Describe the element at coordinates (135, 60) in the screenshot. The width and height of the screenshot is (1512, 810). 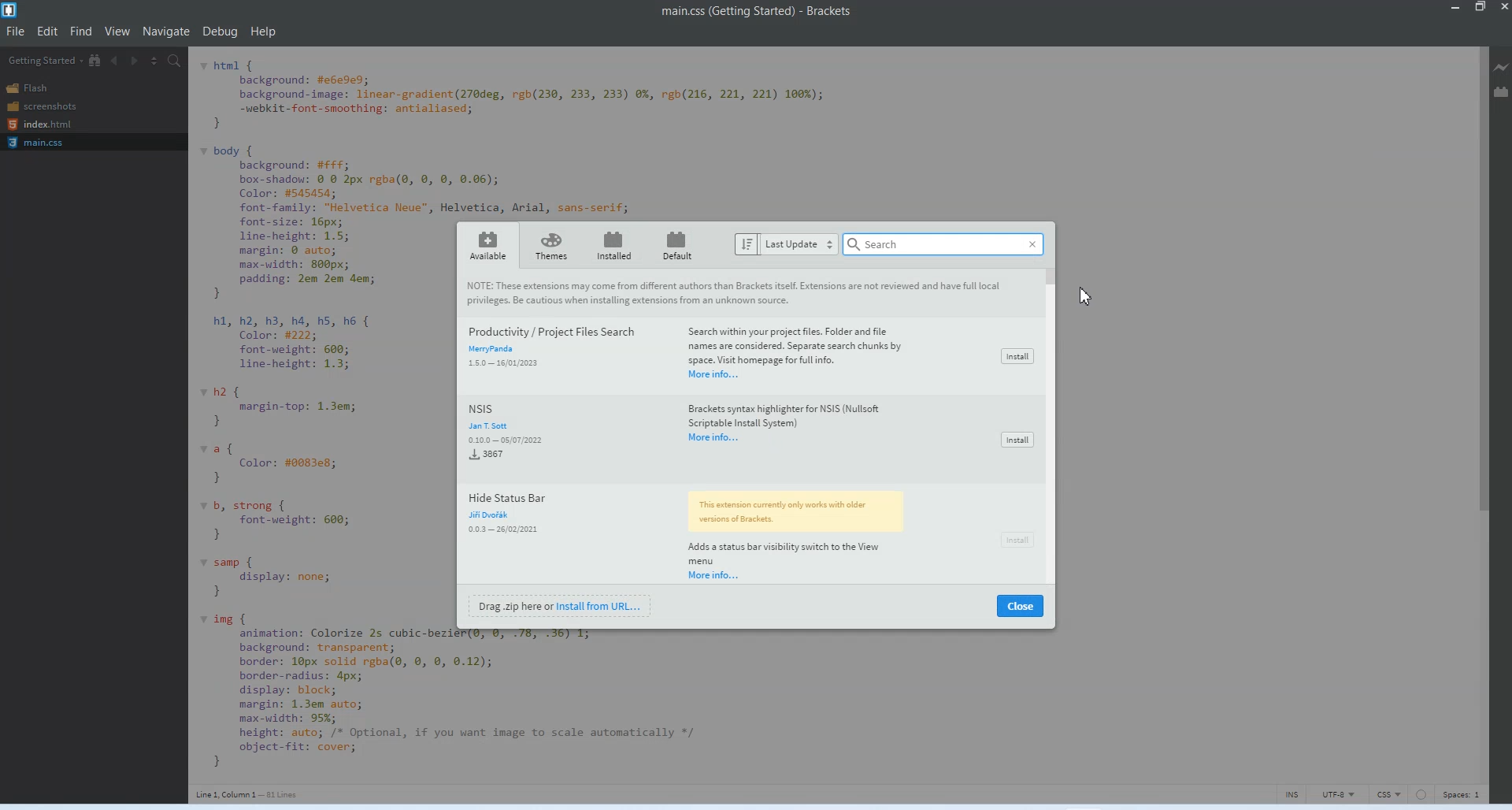
I see `Navigate Forwards ` at that location.